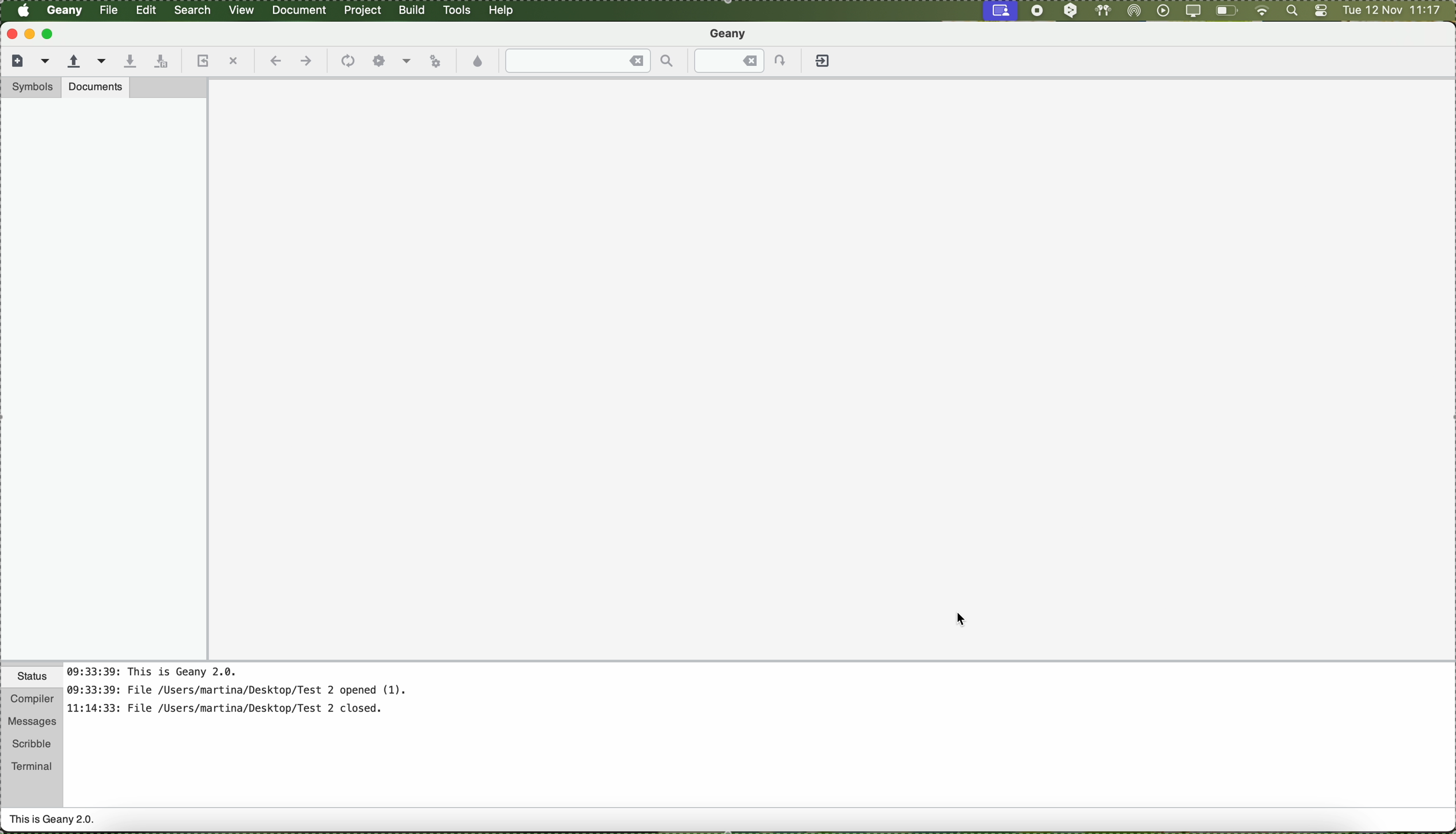 The width and height of the screenshot is (1456, 834). I want to click on help, so click(502, 10).